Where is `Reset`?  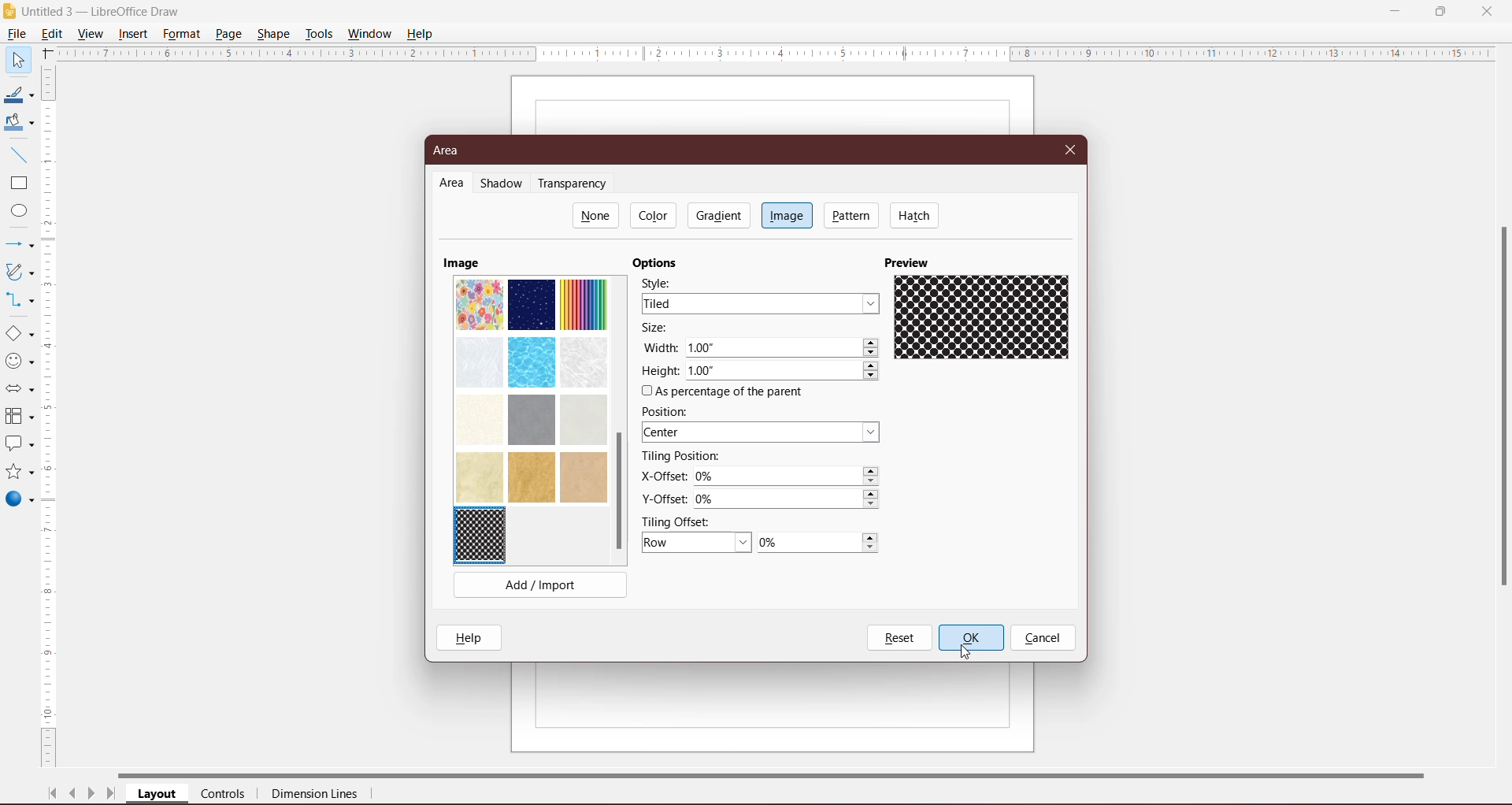 Reset is located at coordinates (899, 638).